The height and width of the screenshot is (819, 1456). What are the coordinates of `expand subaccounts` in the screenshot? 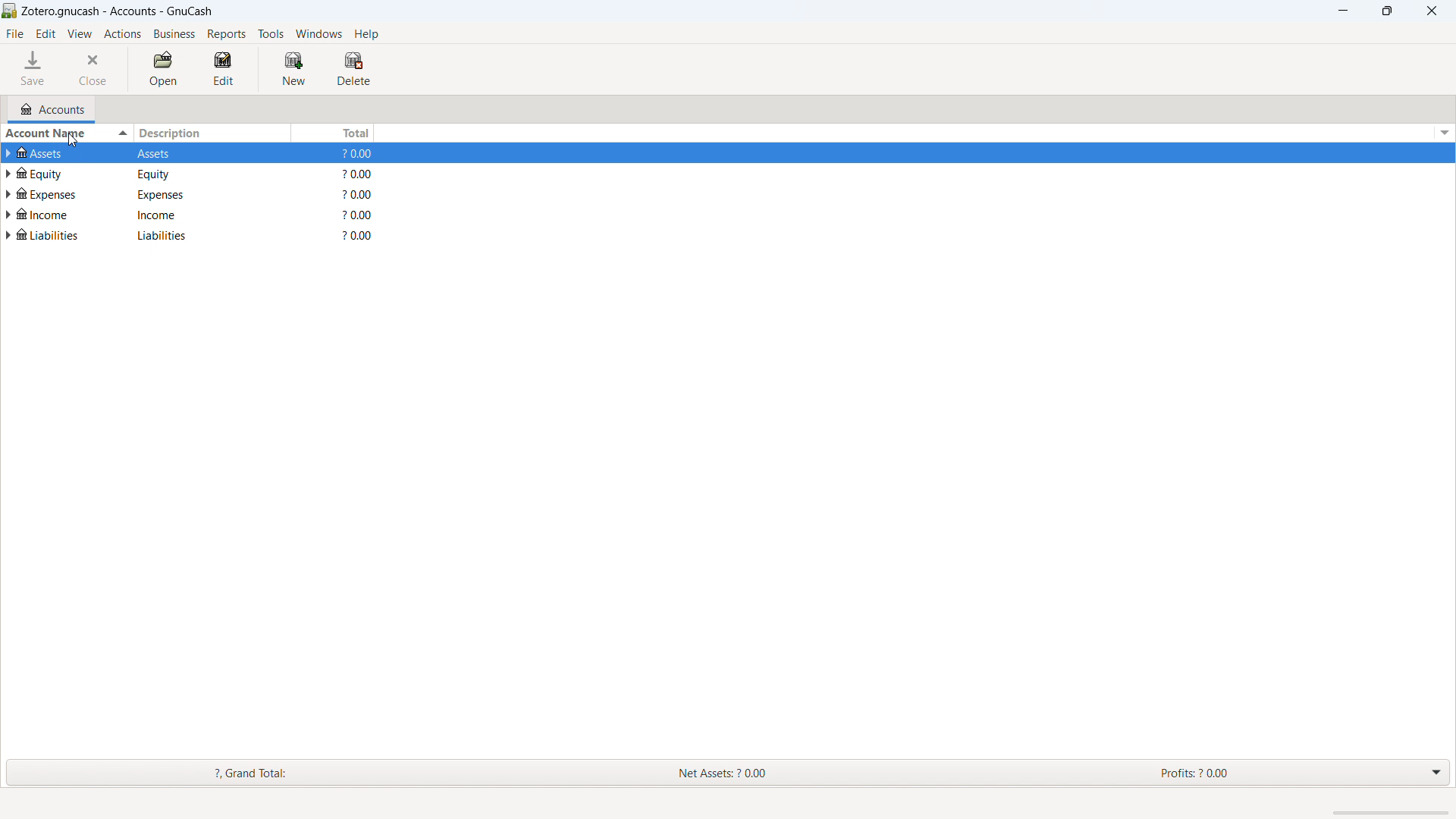 It's located at (9, 173).